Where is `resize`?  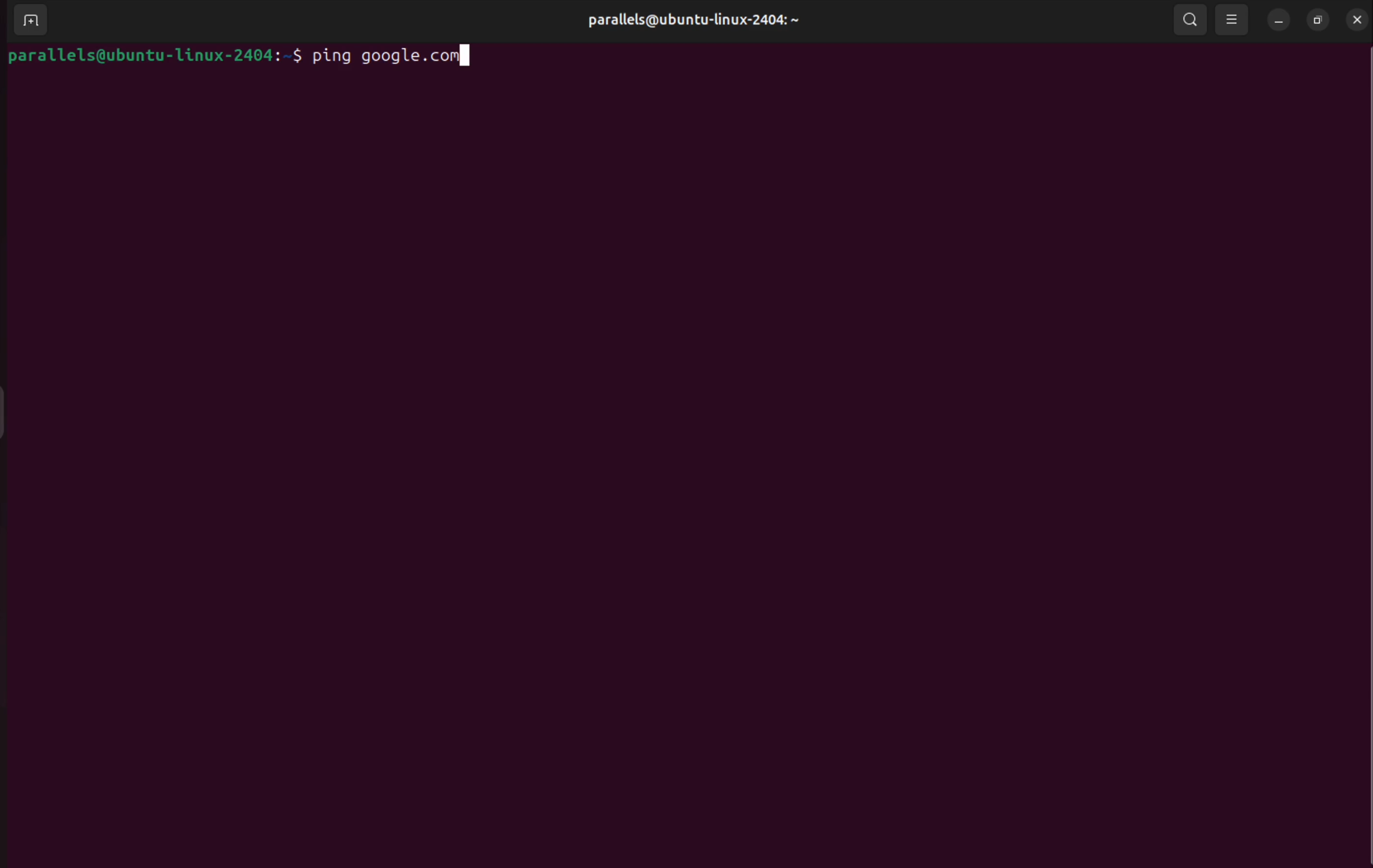
resize is located at coordinates (1315, 20).